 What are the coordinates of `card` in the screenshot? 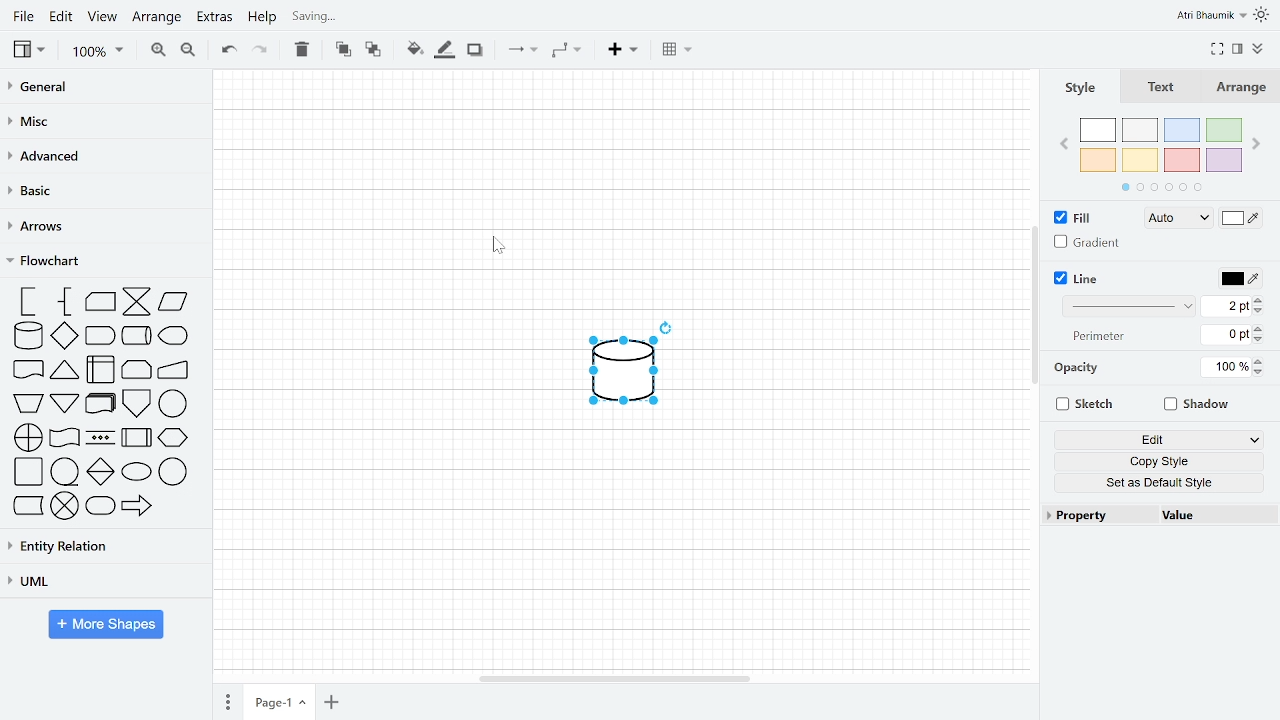 It's located at (101, 302).